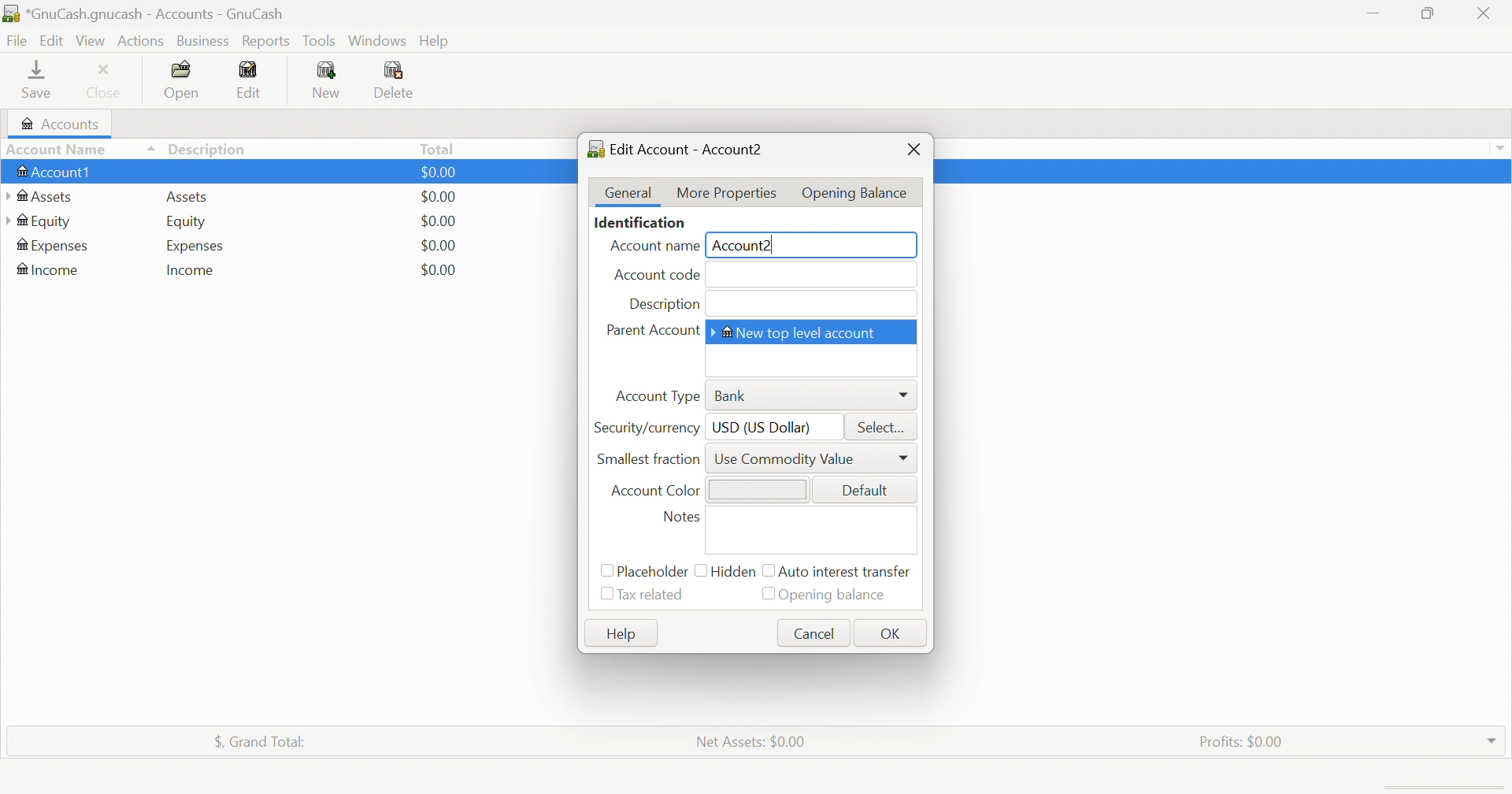 This screenshot has width=1512, height=794. Describe the element at coordinates (654, 492) in the screenshot. I see `Account Color` at that location.